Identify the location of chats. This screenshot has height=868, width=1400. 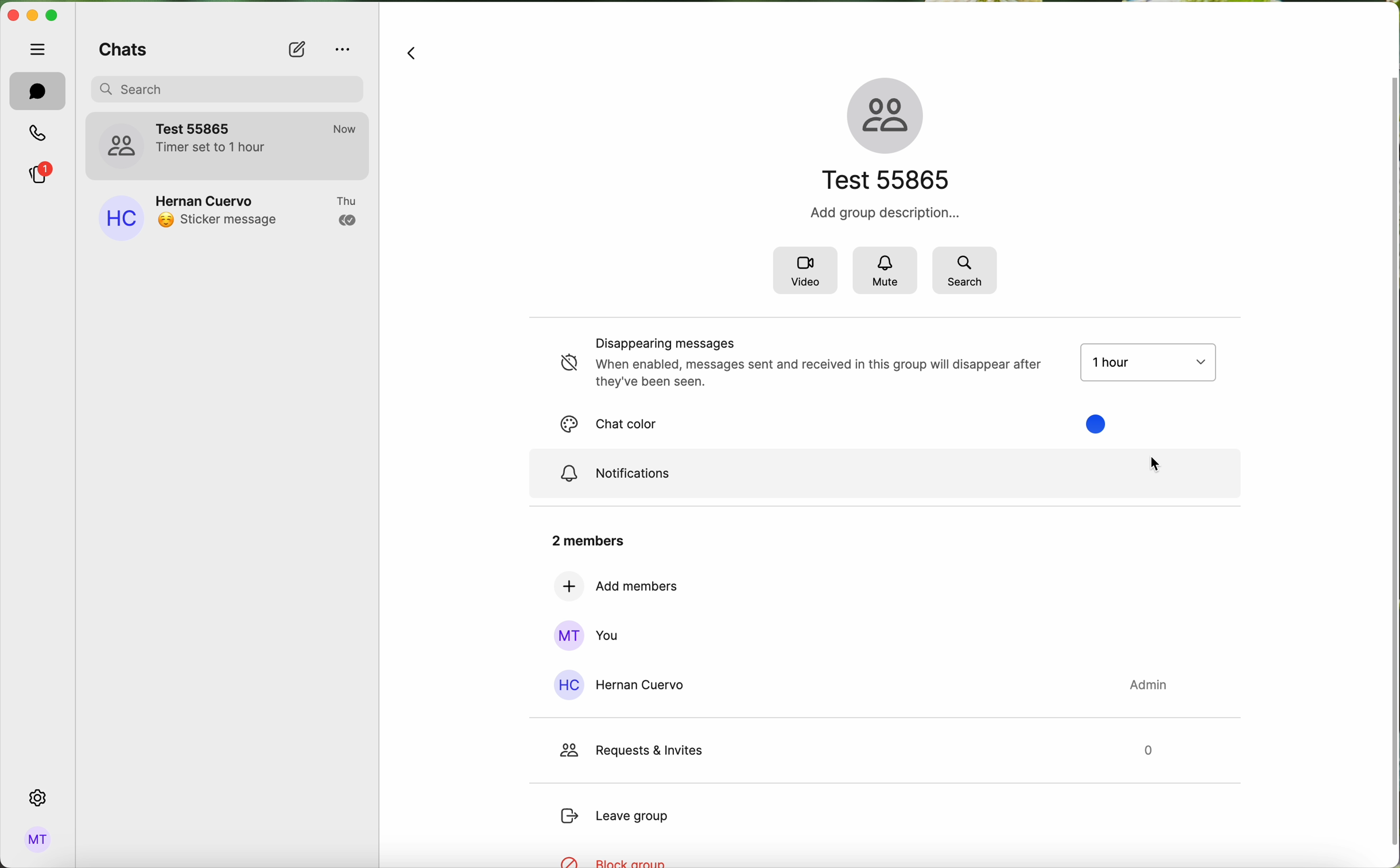
(37, 91).